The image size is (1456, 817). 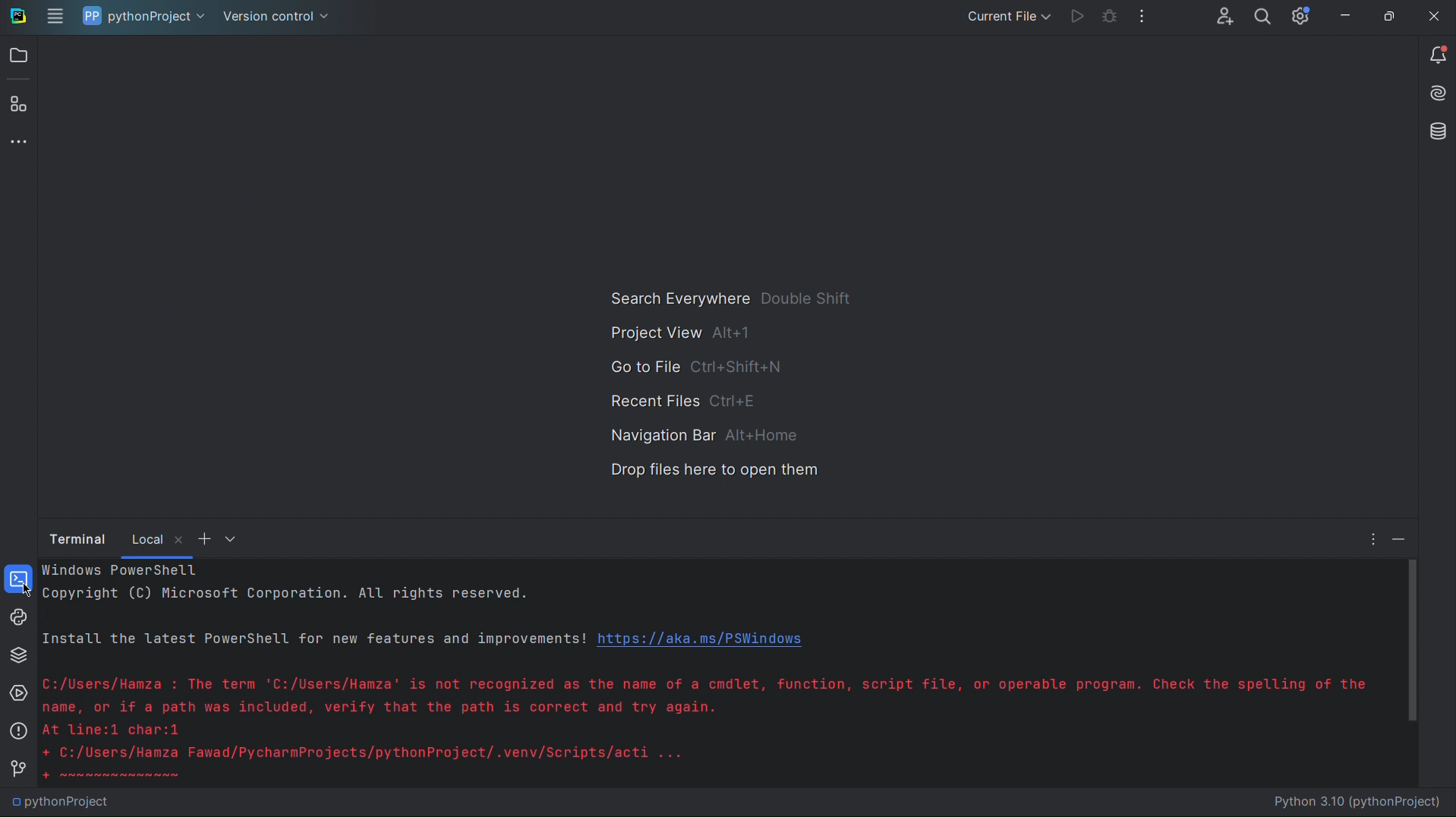 What do you see at coordinates (692, 367) in the screenshot?
I see `Go to File` at bounding box center [692, 367].